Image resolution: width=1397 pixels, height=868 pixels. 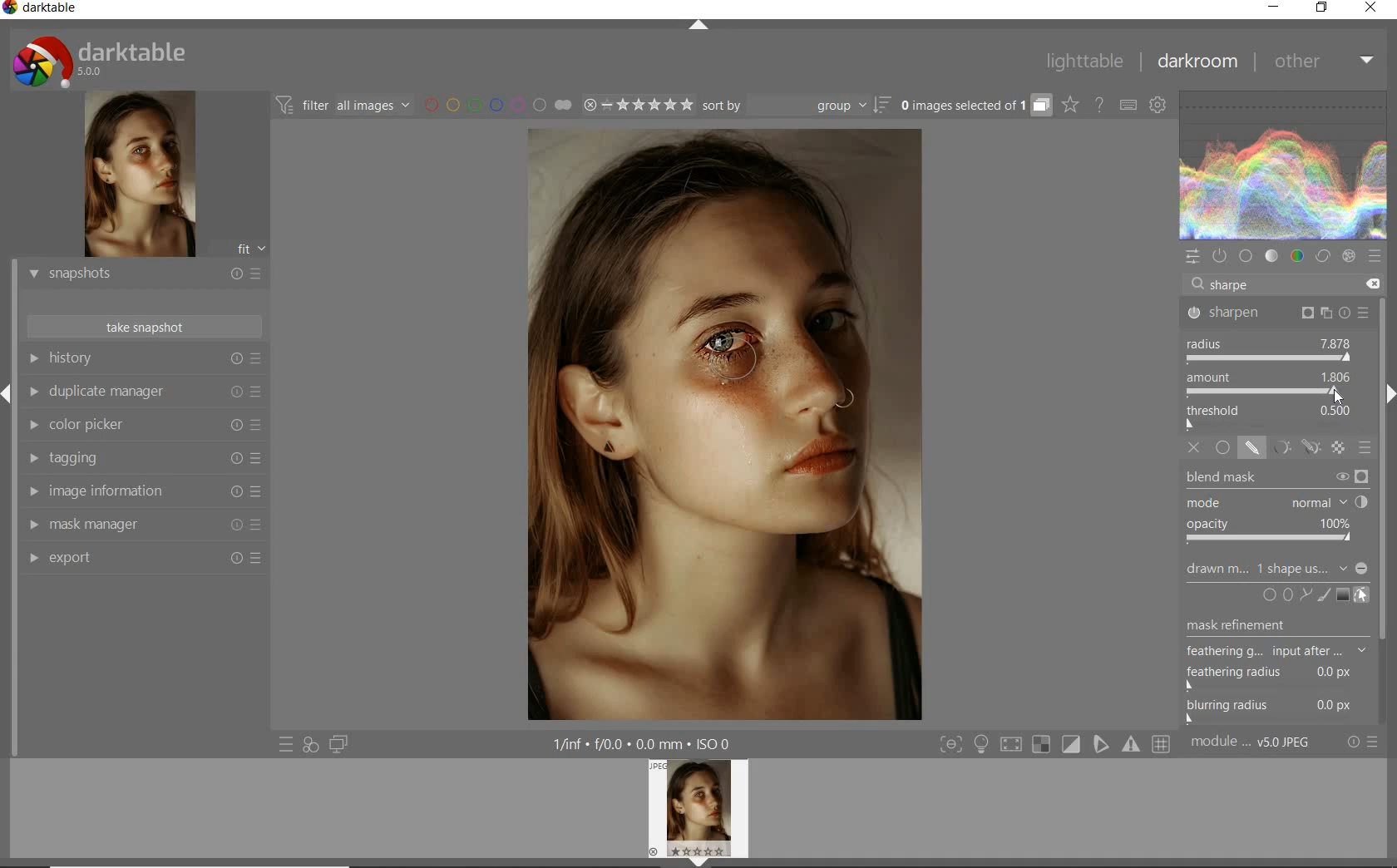 What do you see at coordinates (1322, 7) in the screenshot?
I see `restore` at bounding box center [1322, 7].